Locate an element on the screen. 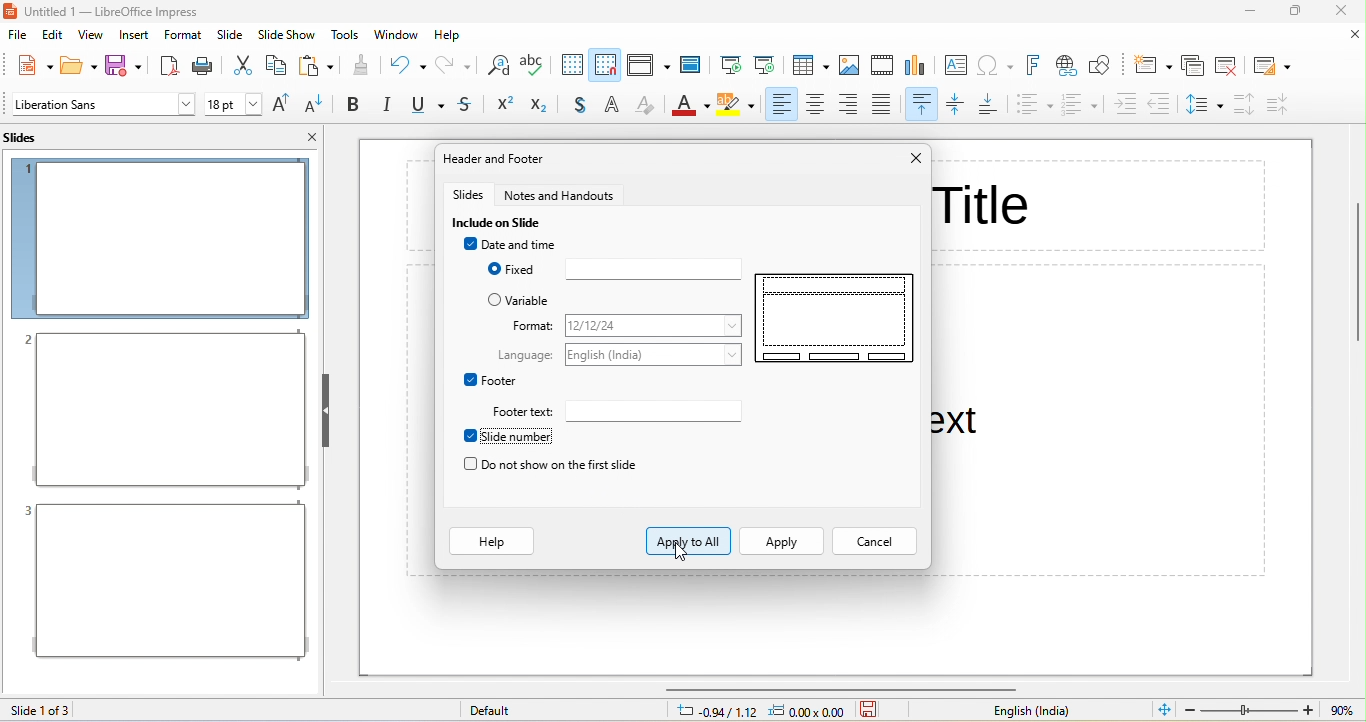 Image resolution: width=1366 pixels, height=722 pixels. undo is located at coordinates (407, 64).